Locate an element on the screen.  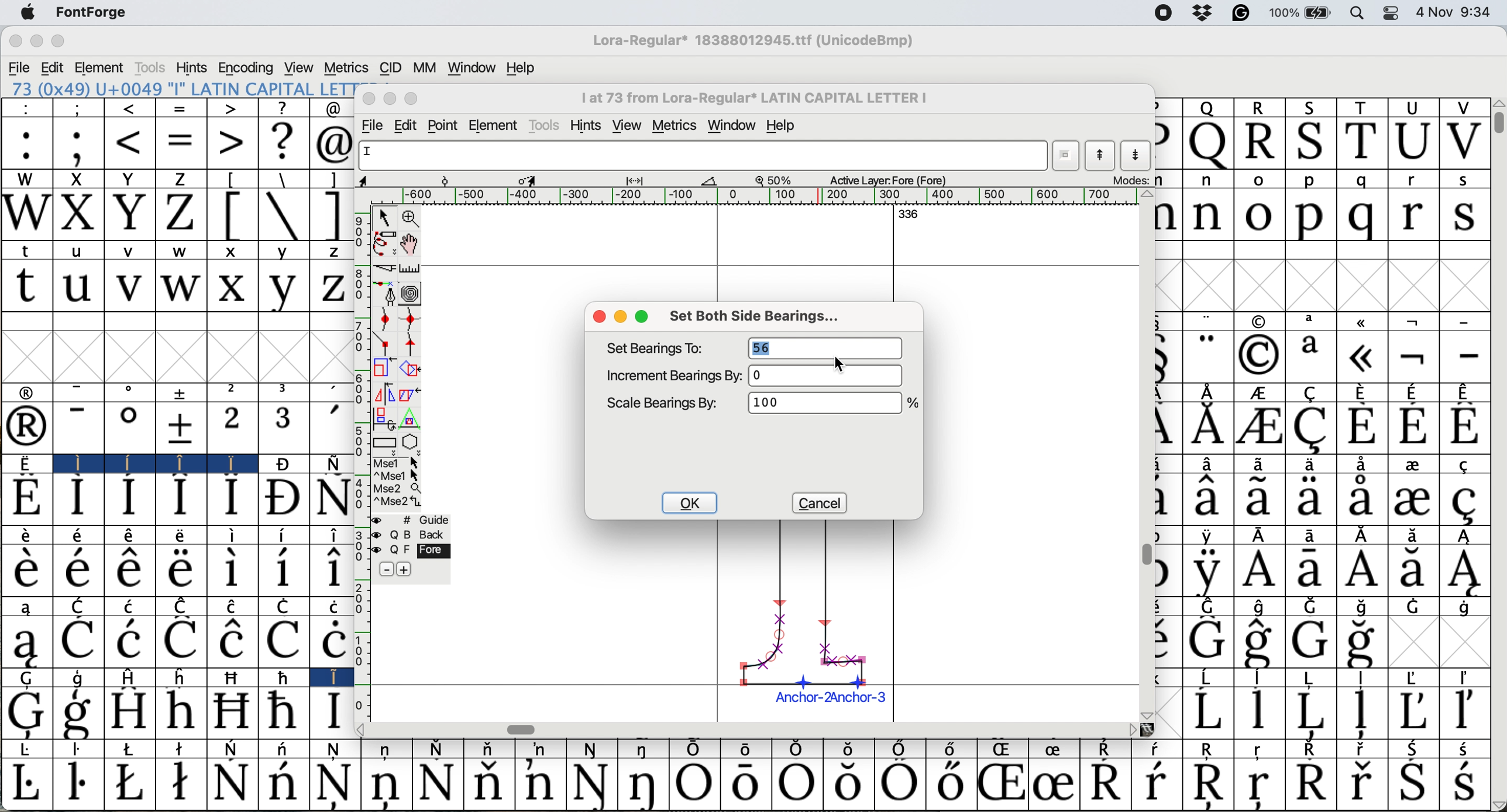
Symbol is located at coordinates (26, 463).